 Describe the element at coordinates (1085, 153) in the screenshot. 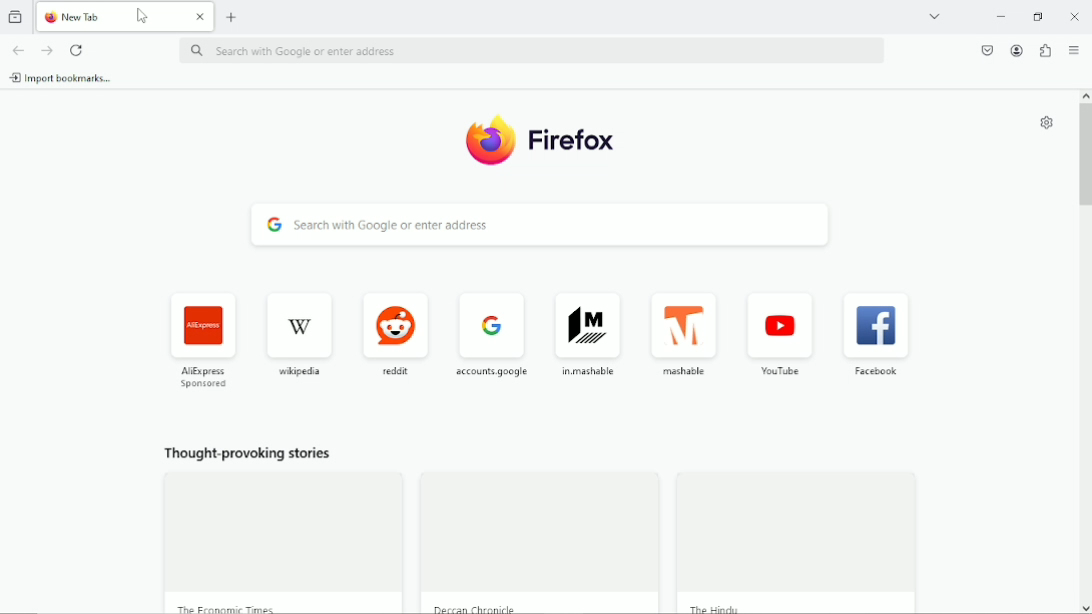

I see `Vertical scroll bar` at that location.